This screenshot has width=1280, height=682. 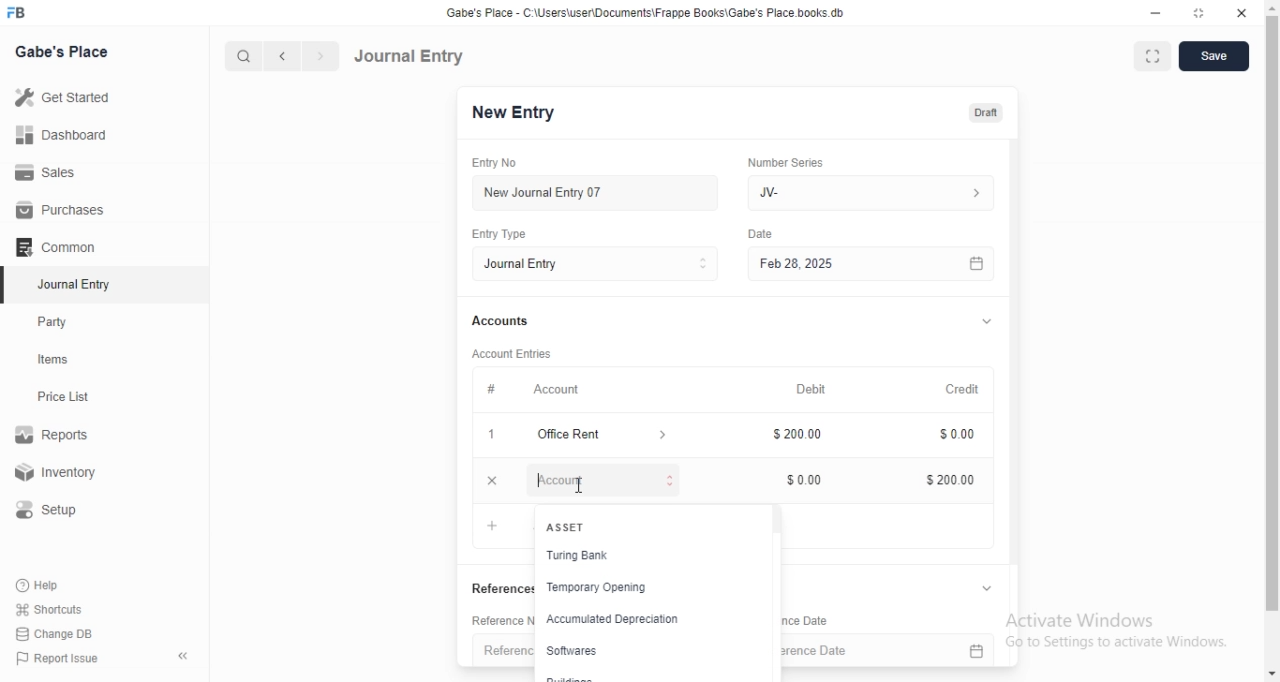 What do you see at coordinates (588, 435) in the screenshot?
I see `x Office Rent >` at bounding box center [588, 435].